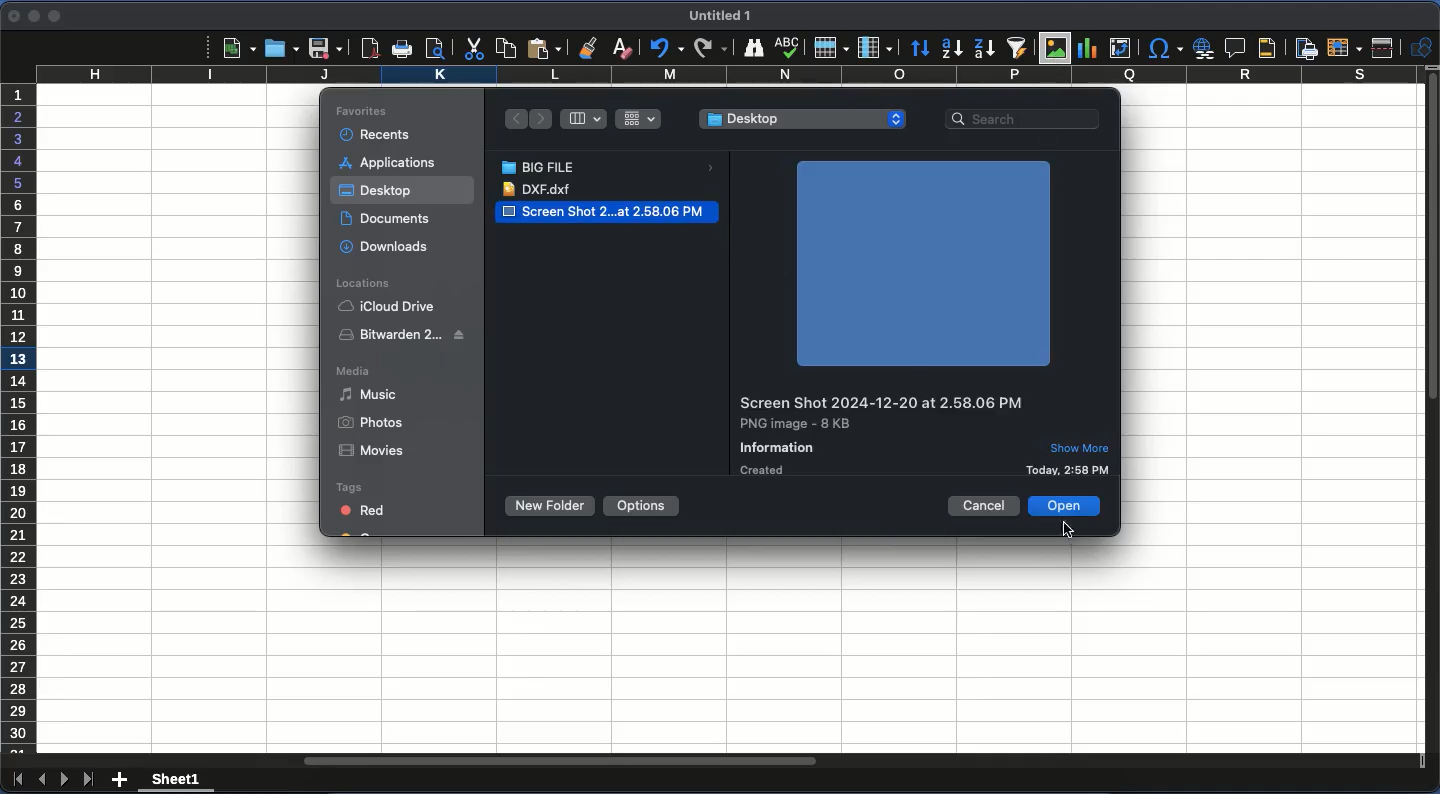  What do you see at coordinates (377, 192) in the screenshot?
I see `desktop` at bounding box center [377, 192].